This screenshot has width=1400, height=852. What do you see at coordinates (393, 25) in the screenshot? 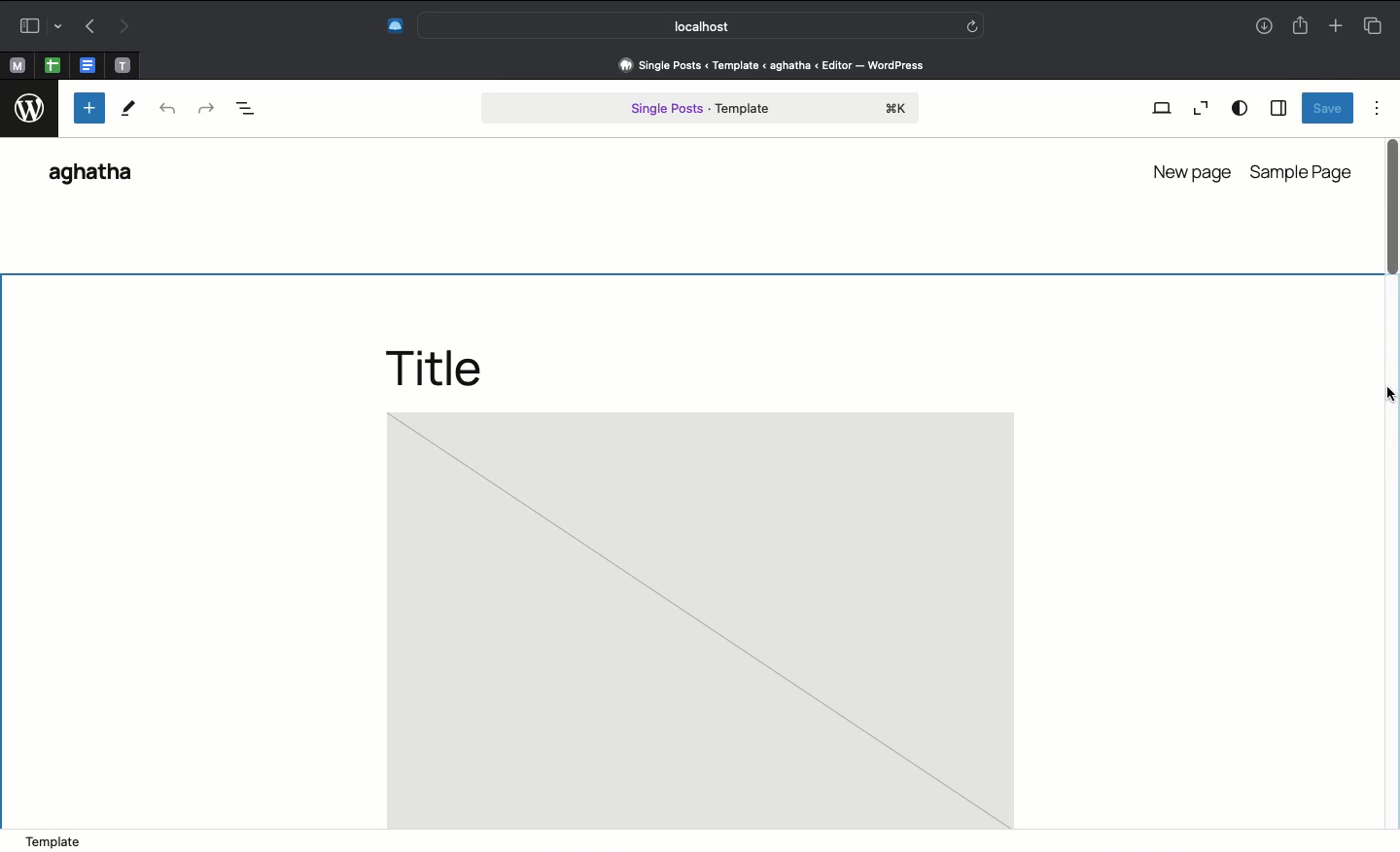
I see `Extensions` at bounding box center [393, 25].